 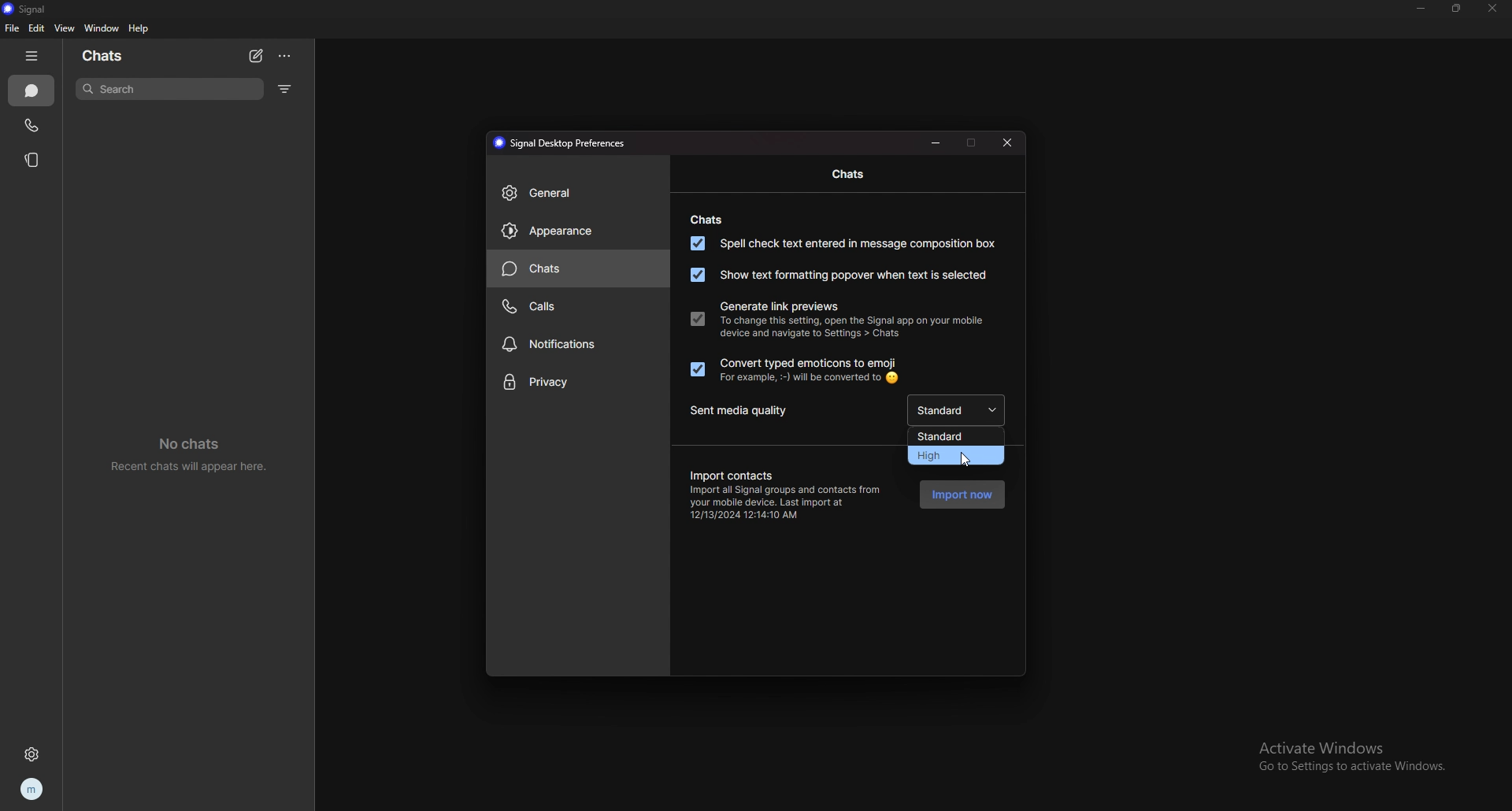 I want to click on chats, so click(x=580, y=268).